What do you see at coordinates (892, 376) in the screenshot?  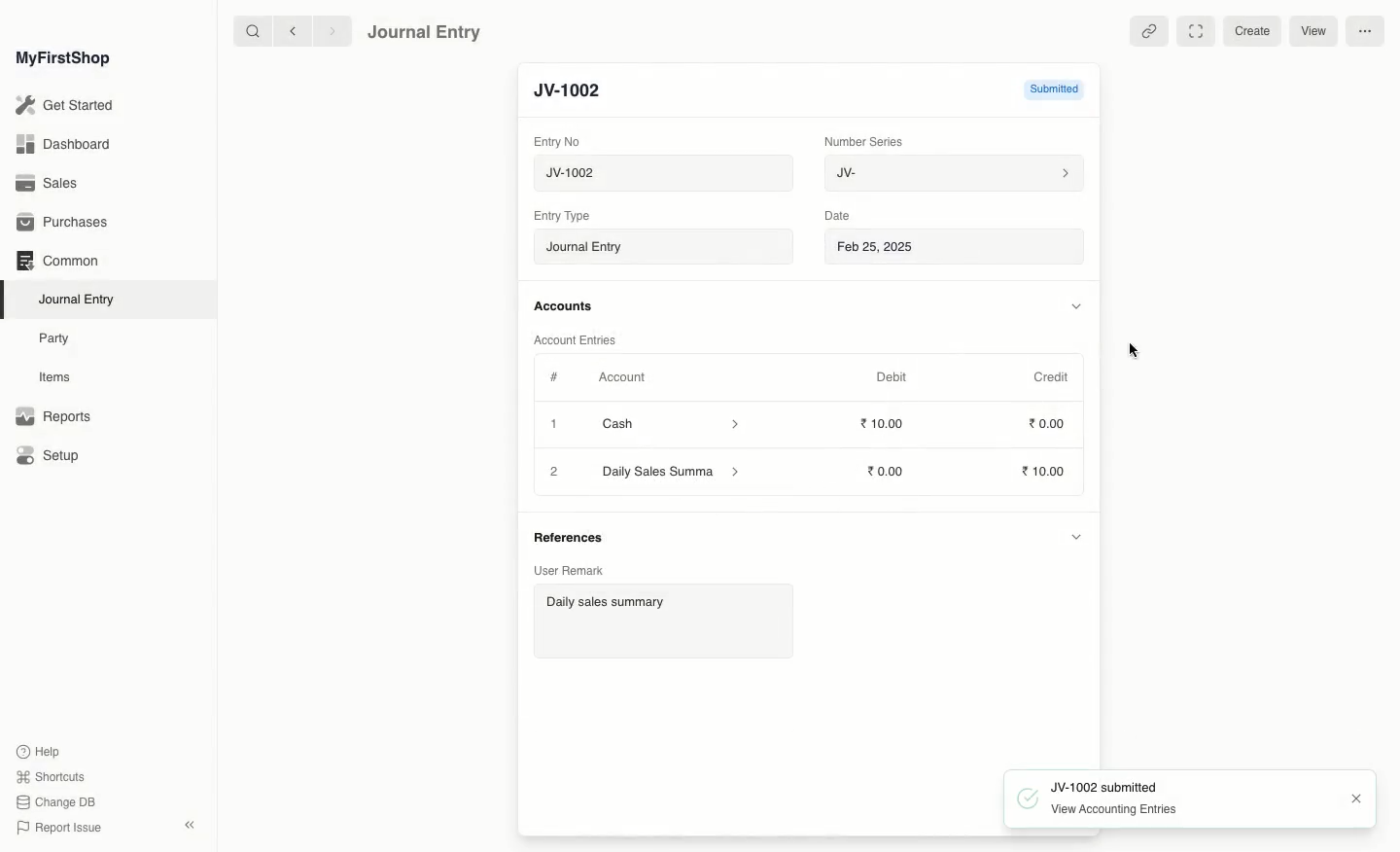 I see `Debit` at bounding box center [892, 376].